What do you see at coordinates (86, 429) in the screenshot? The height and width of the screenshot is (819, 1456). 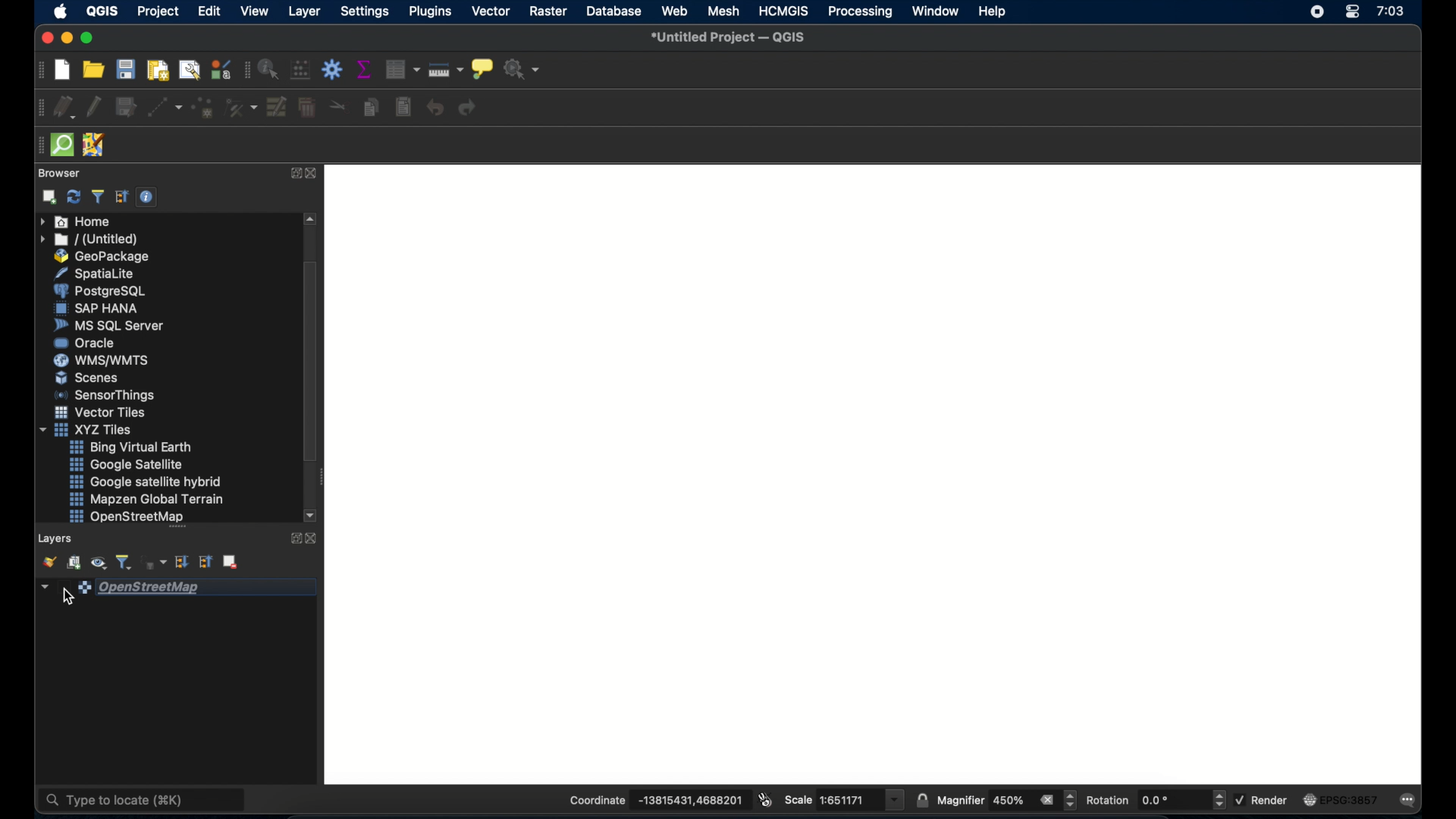 I see `xyzzy tiles` at bounding box center [86, 429].